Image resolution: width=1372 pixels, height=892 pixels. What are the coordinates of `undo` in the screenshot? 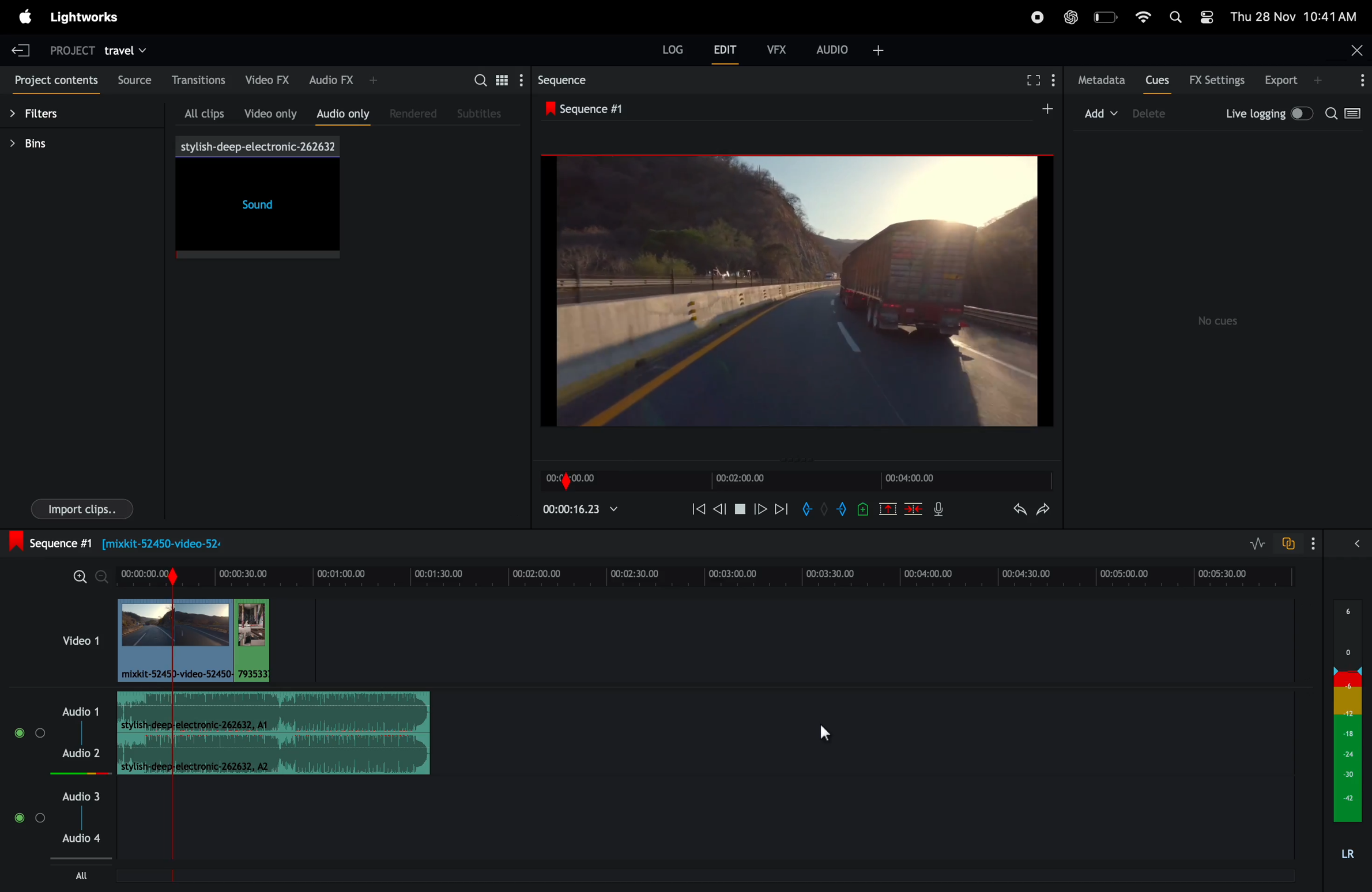 It's located at (1011, 510).